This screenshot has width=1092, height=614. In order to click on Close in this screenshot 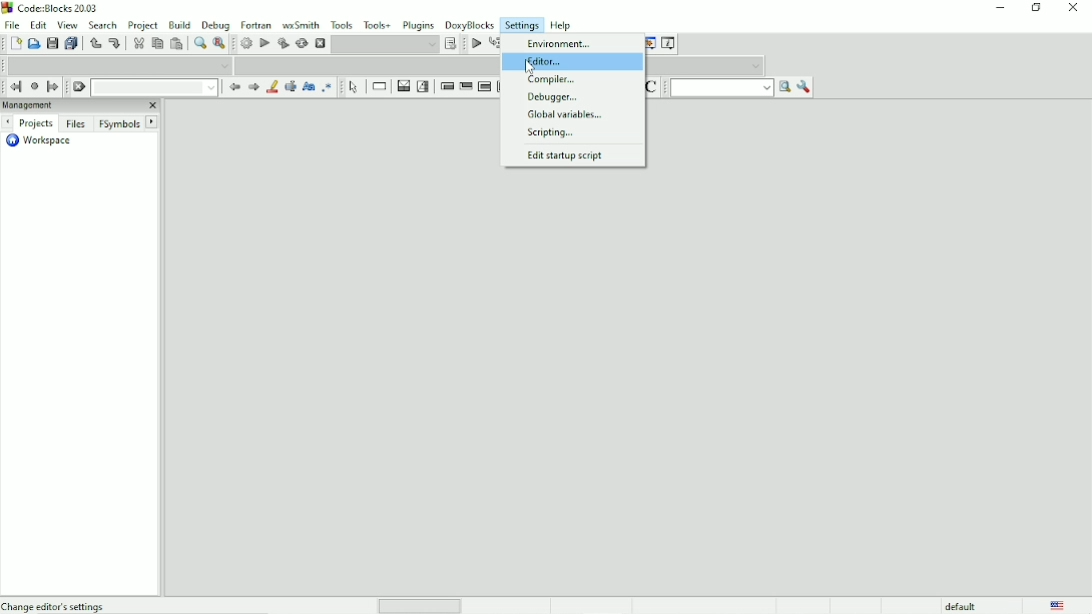, I will do `click(152, 105)`.